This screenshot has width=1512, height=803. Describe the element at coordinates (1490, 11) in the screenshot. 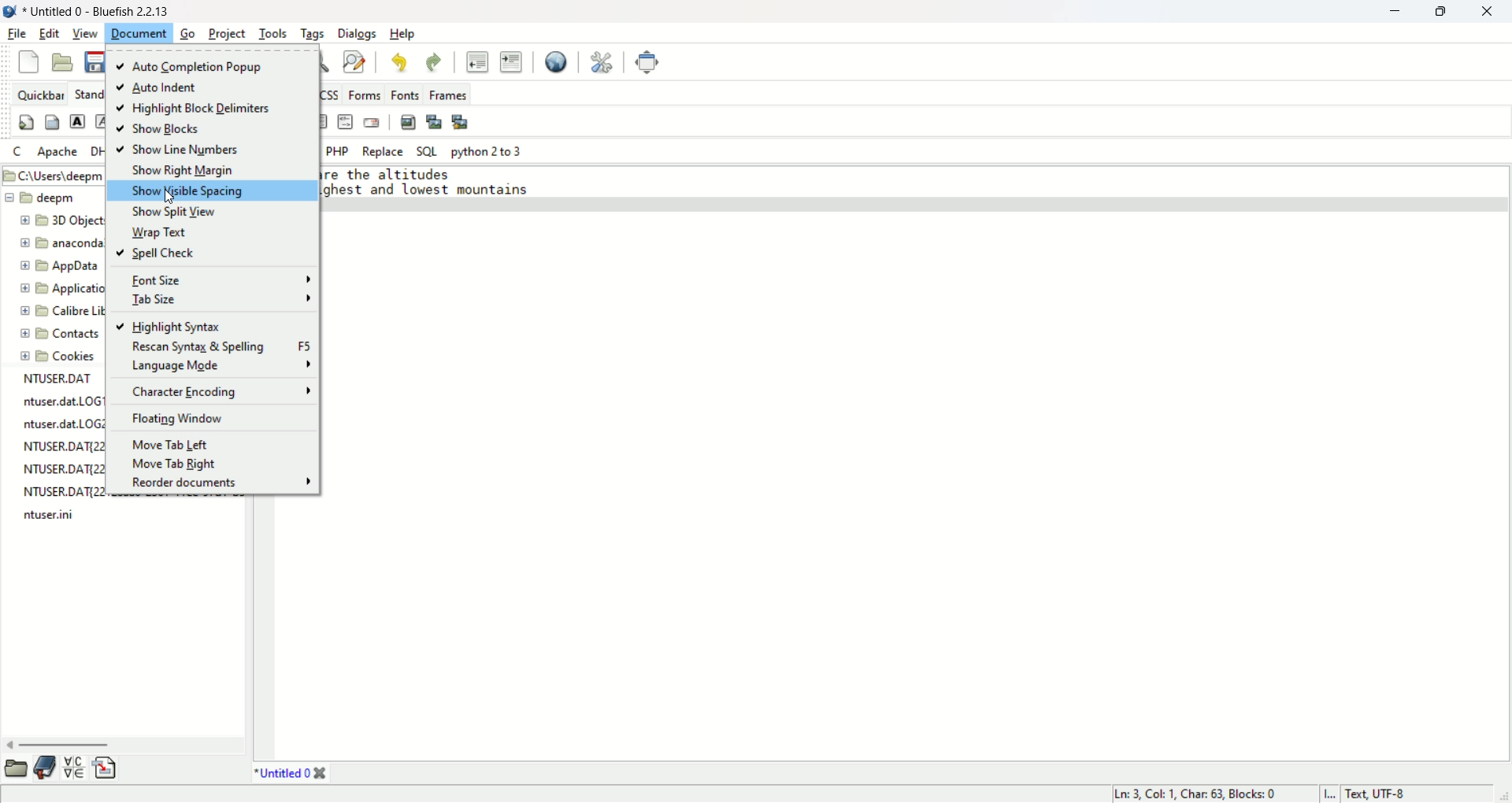

I see `close` at that location.